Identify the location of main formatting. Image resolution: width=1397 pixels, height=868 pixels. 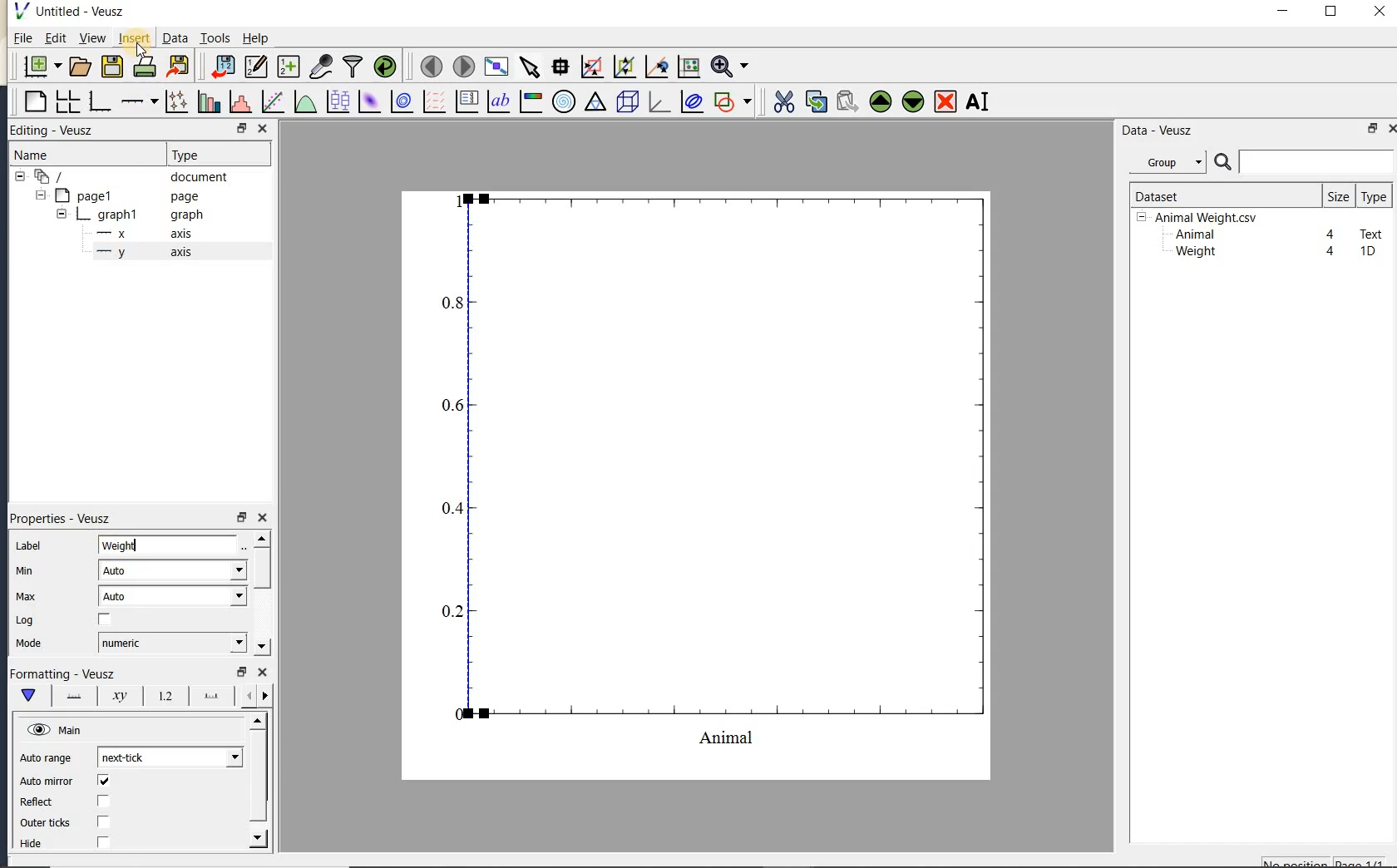
(27, 695).